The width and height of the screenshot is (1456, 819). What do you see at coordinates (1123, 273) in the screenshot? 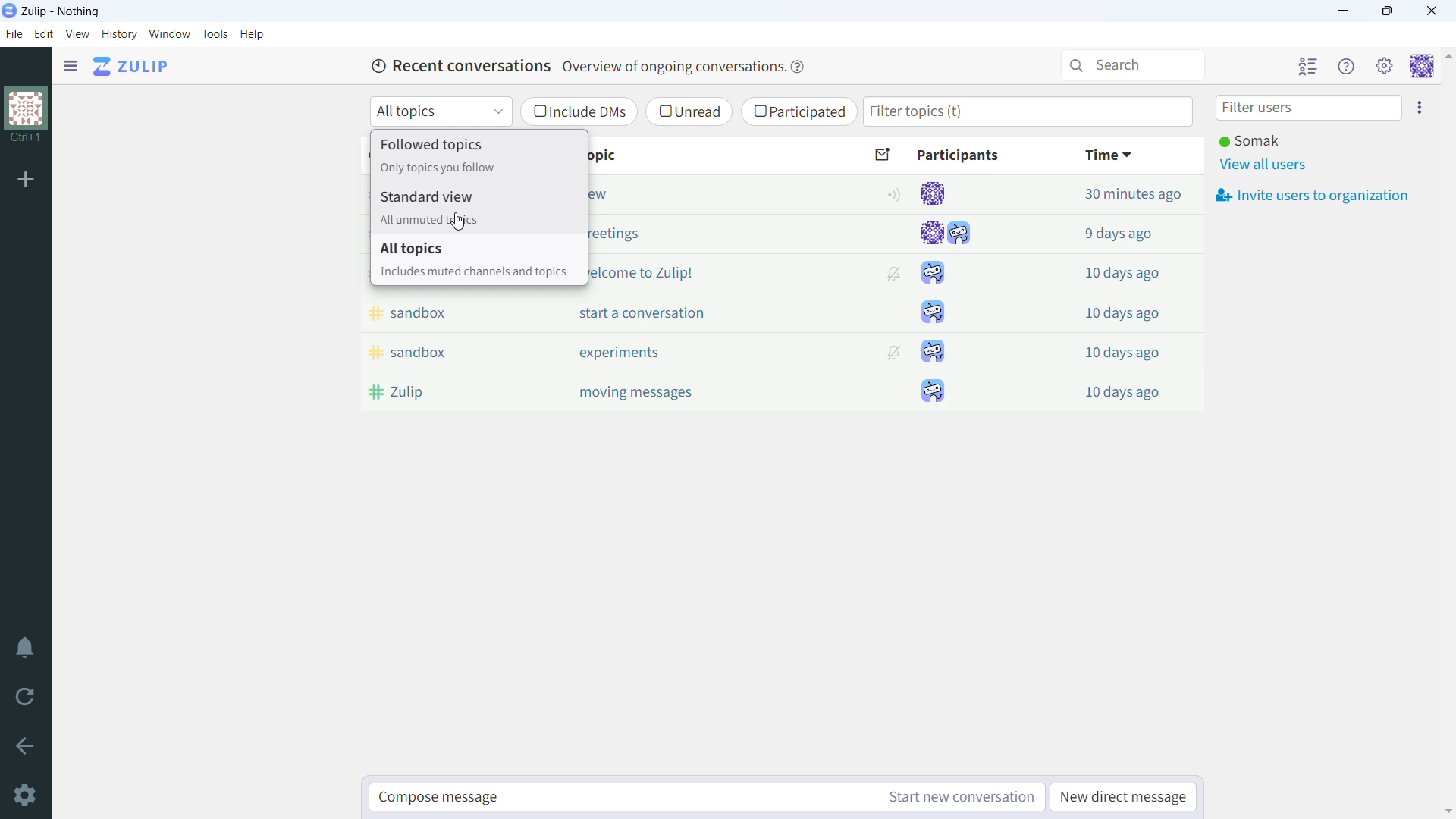
I see `10 days ago` at bounding box center [1123, 273].